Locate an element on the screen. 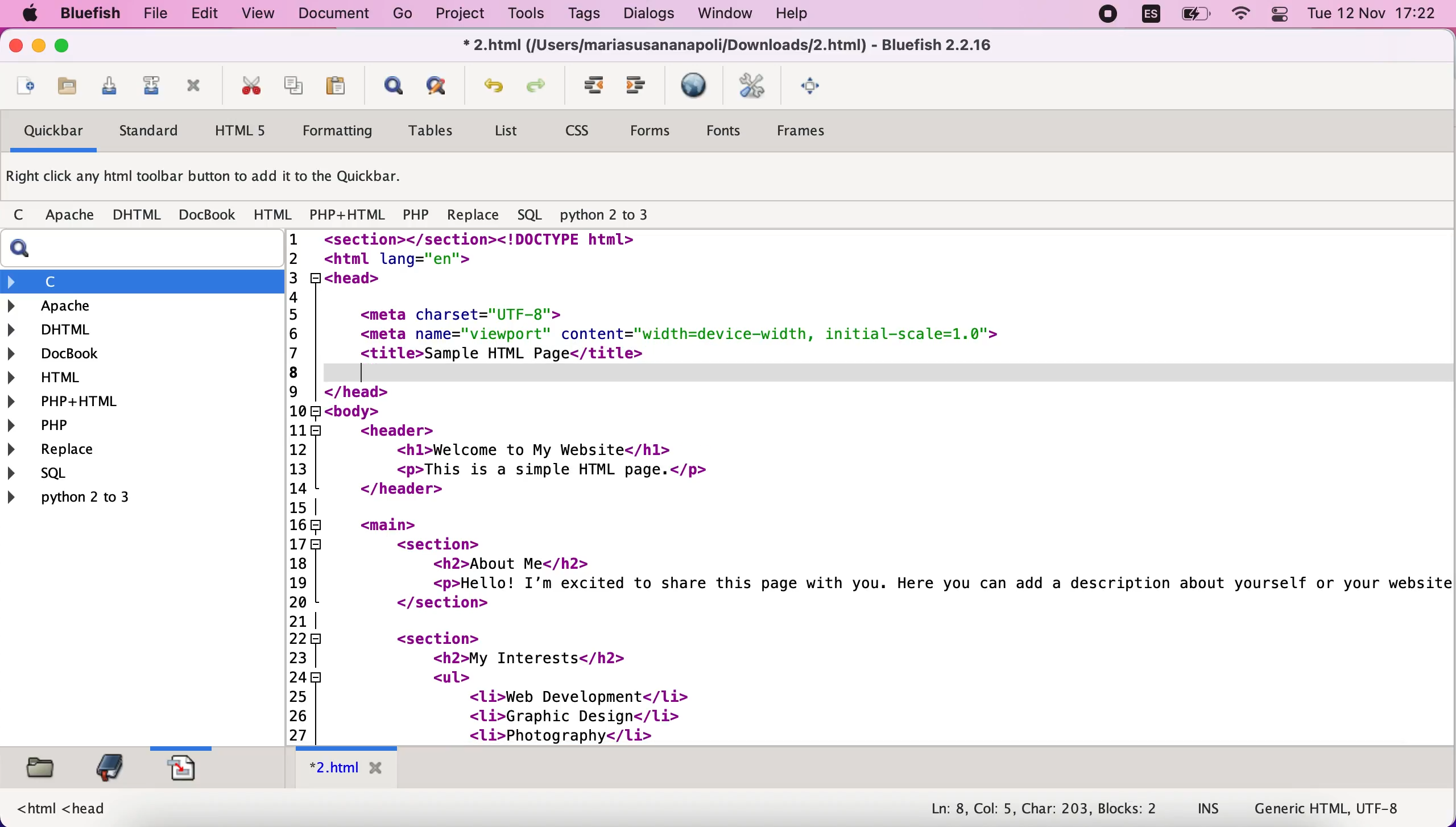 The height and width of the screenshot is (827, 1456). tags is located at coordinates (584, 15).